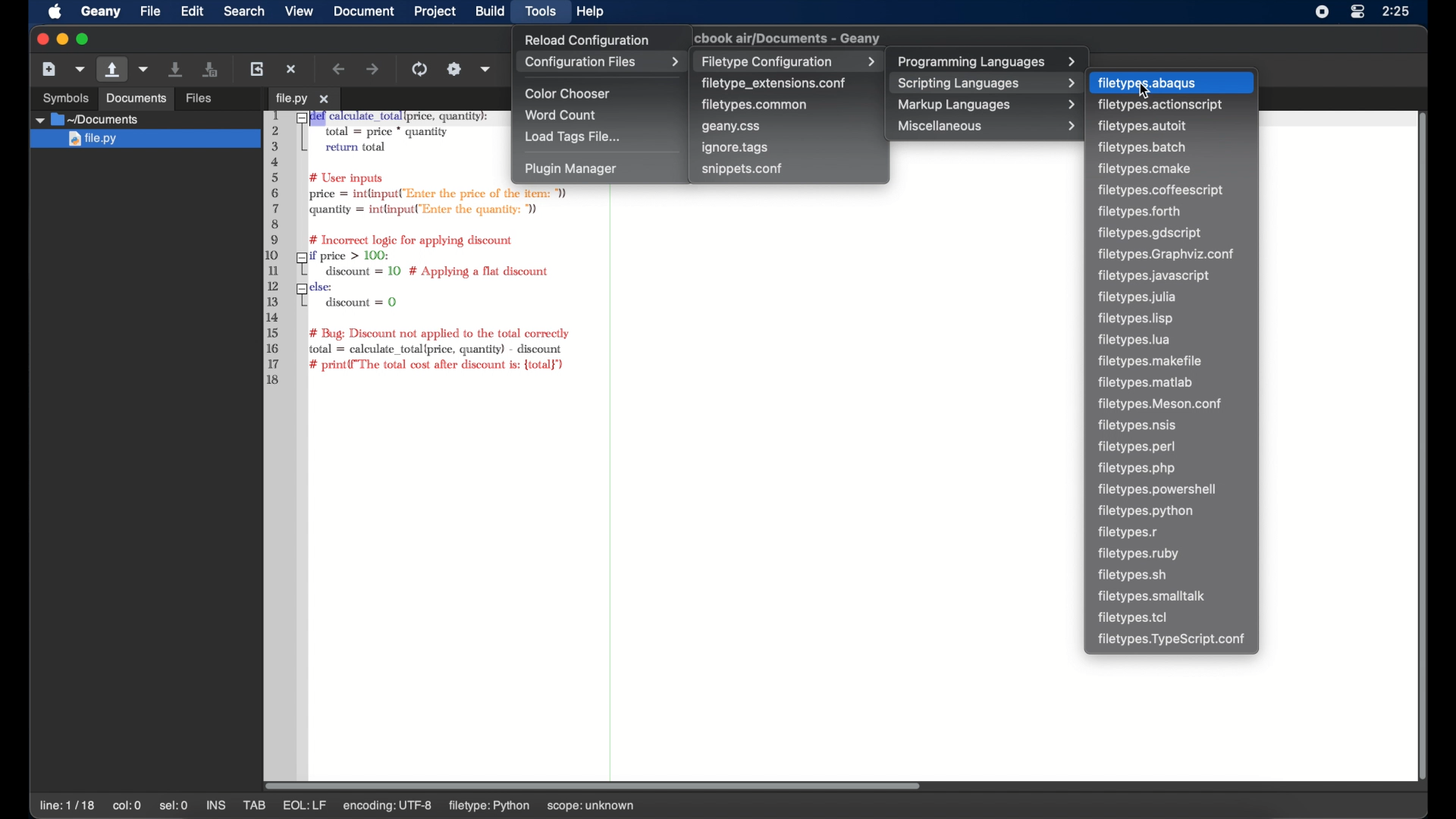  I want to click on open recent file, so click(145, 70).